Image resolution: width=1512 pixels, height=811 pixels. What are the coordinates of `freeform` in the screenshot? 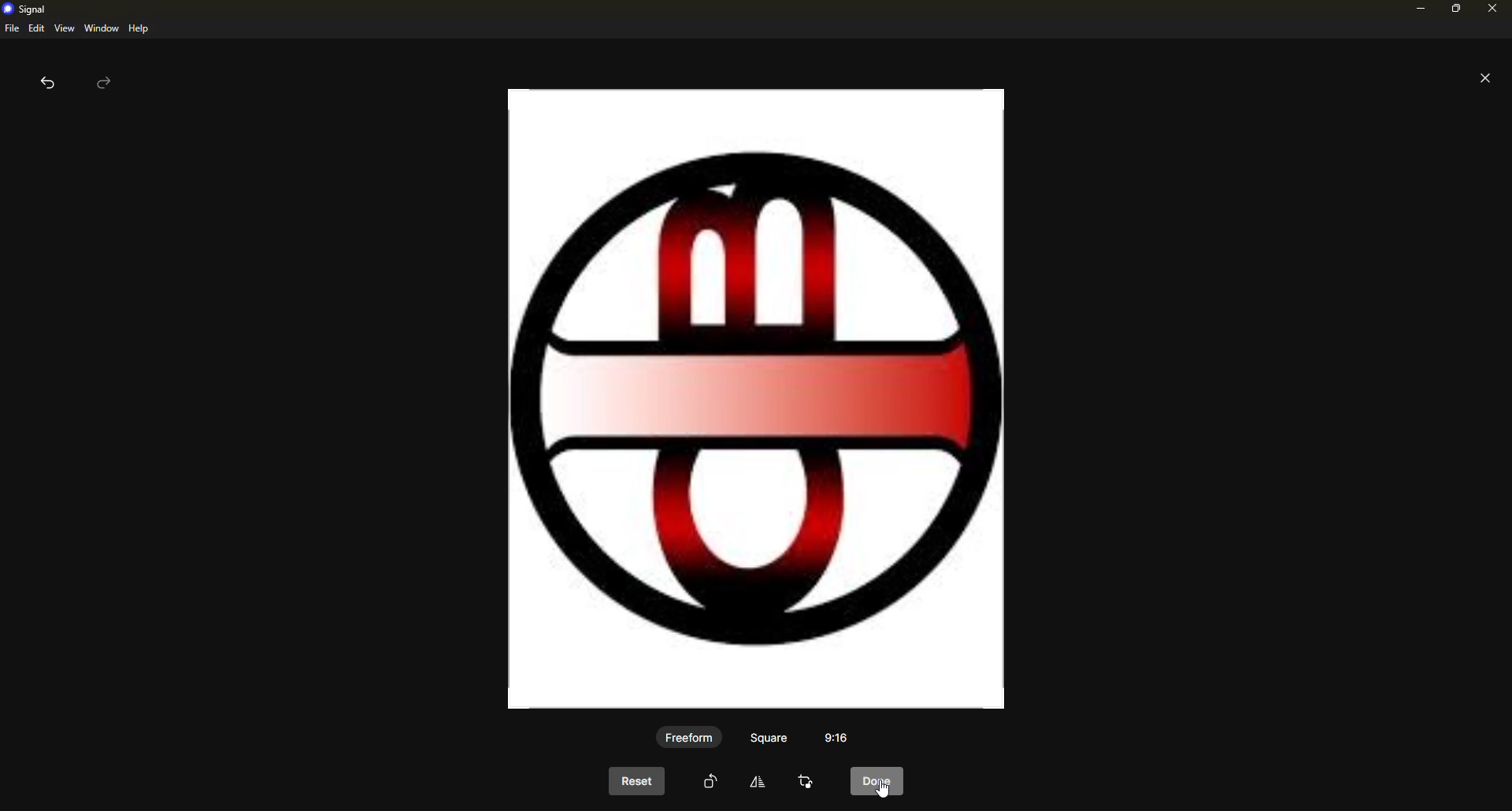 It's located at (690, 736).